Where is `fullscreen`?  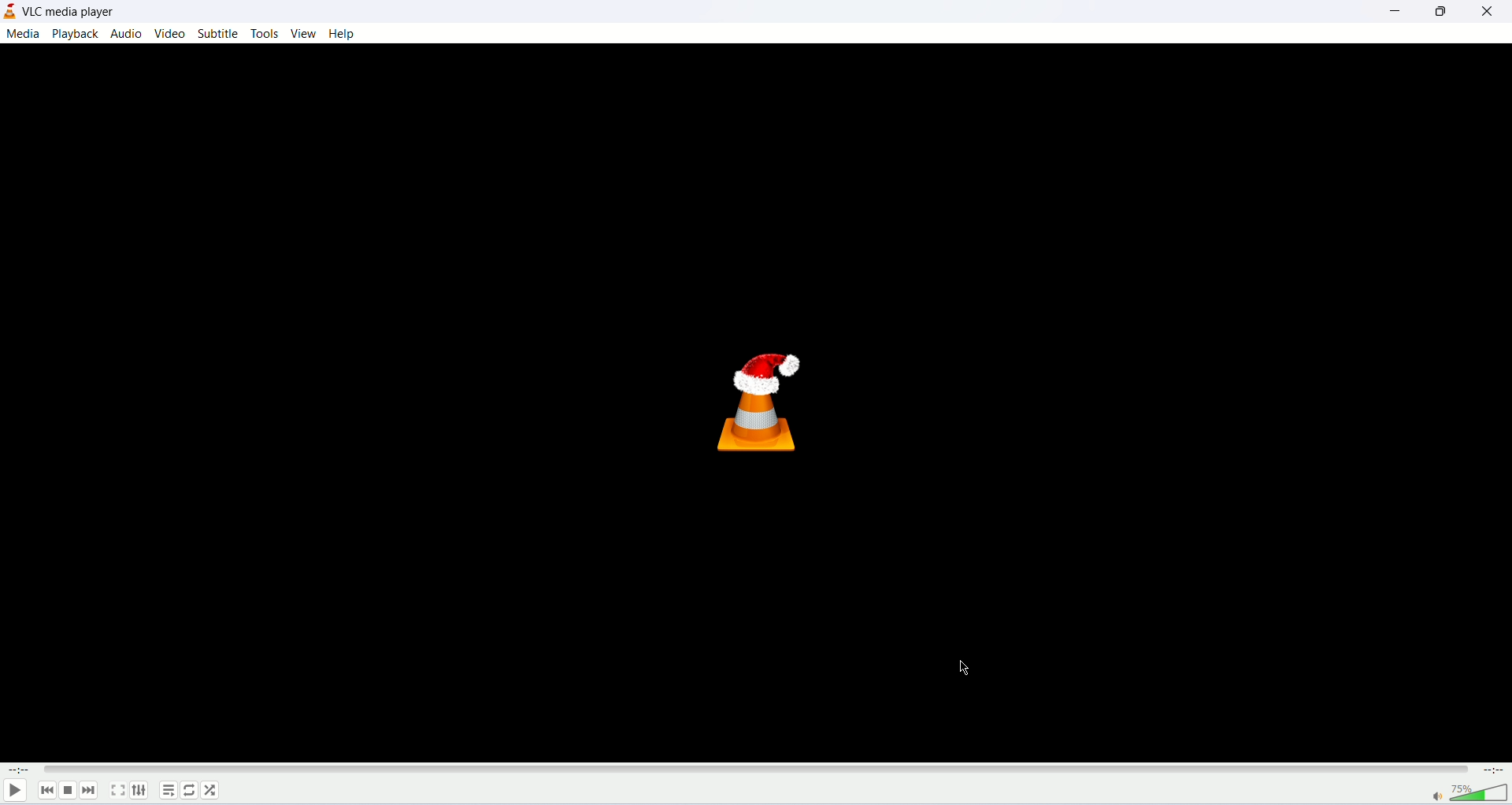 fullscreen is located at coordinates (117, 792).